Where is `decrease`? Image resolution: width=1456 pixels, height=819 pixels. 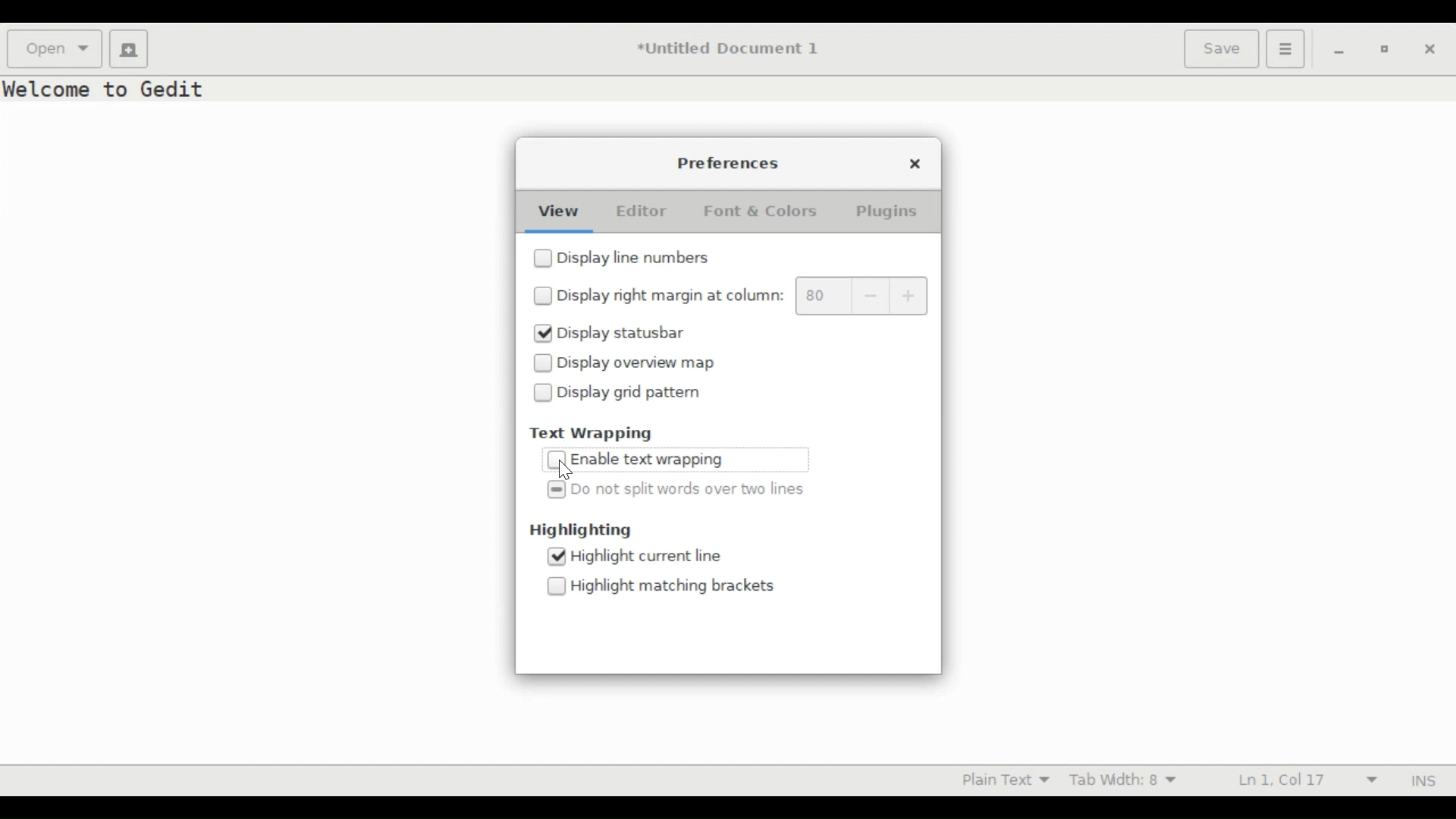
decrease is located at coordinates (871, 296).